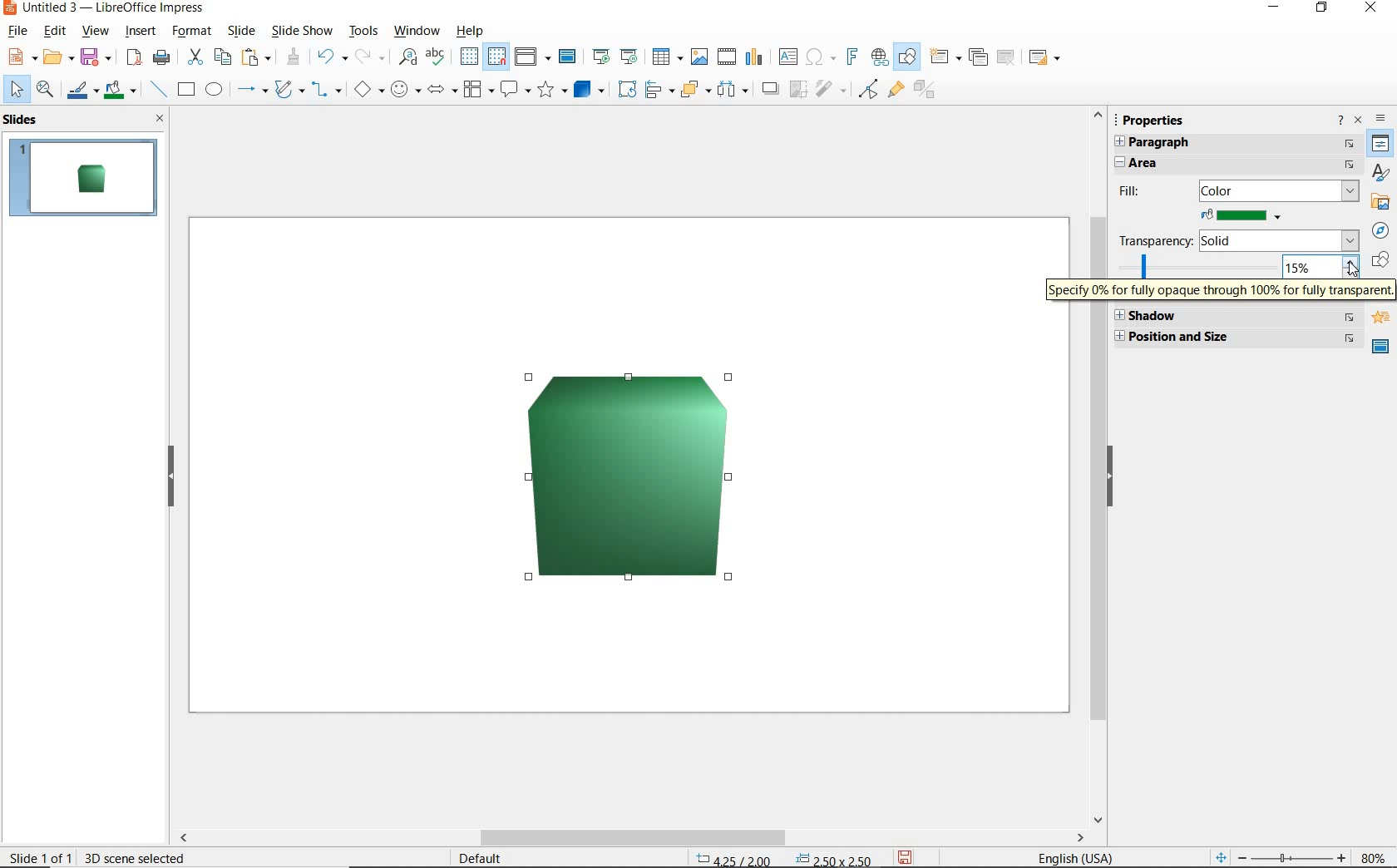  I want to click on SELECT AT LEAST 3 OBJECTS TO DISTRIBUTE, so click(735, 91).